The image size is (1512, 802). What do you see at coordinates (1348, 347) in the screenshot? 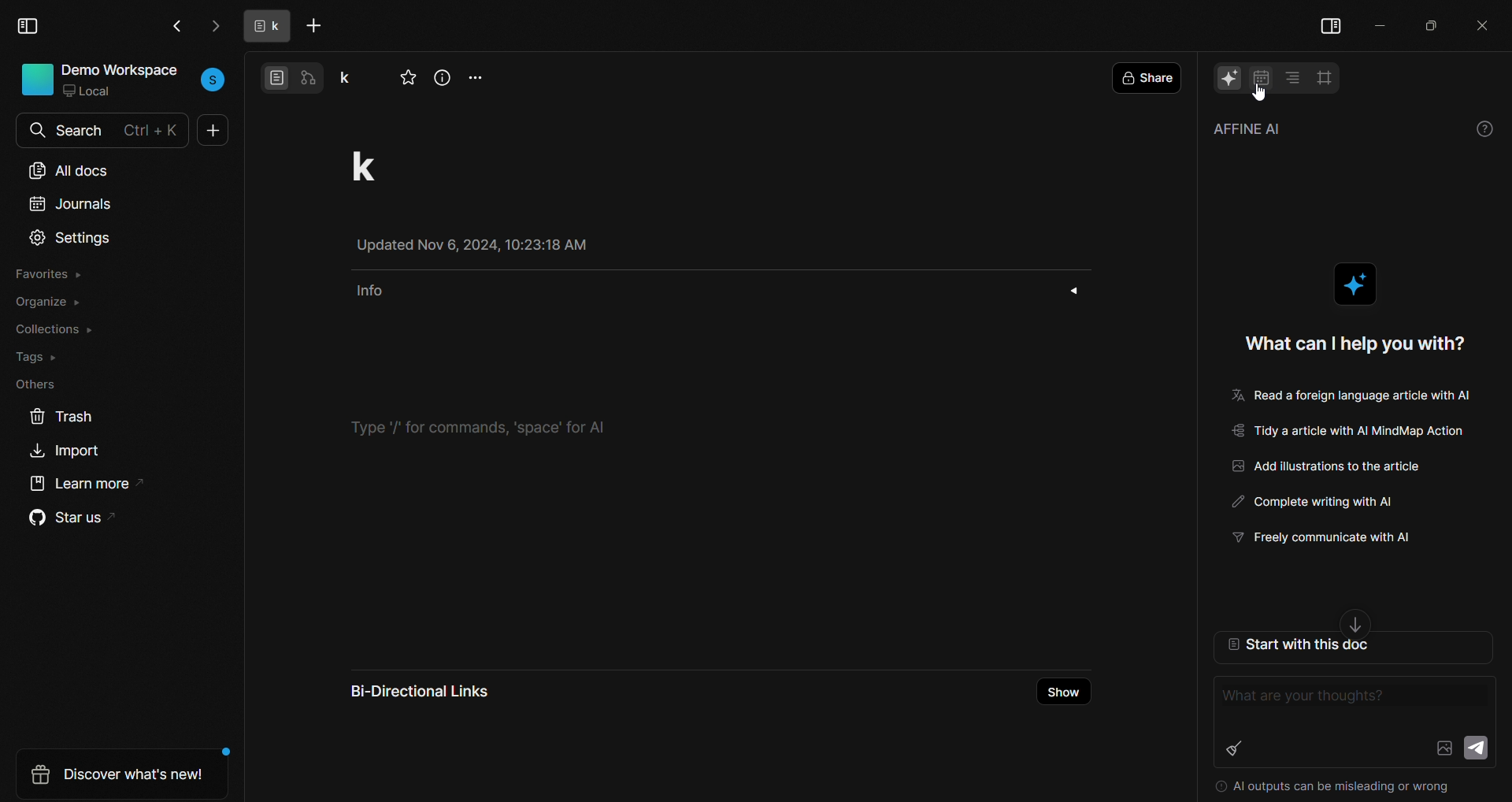
I see `what can i help you with?` at bounding box center [1348, 347].